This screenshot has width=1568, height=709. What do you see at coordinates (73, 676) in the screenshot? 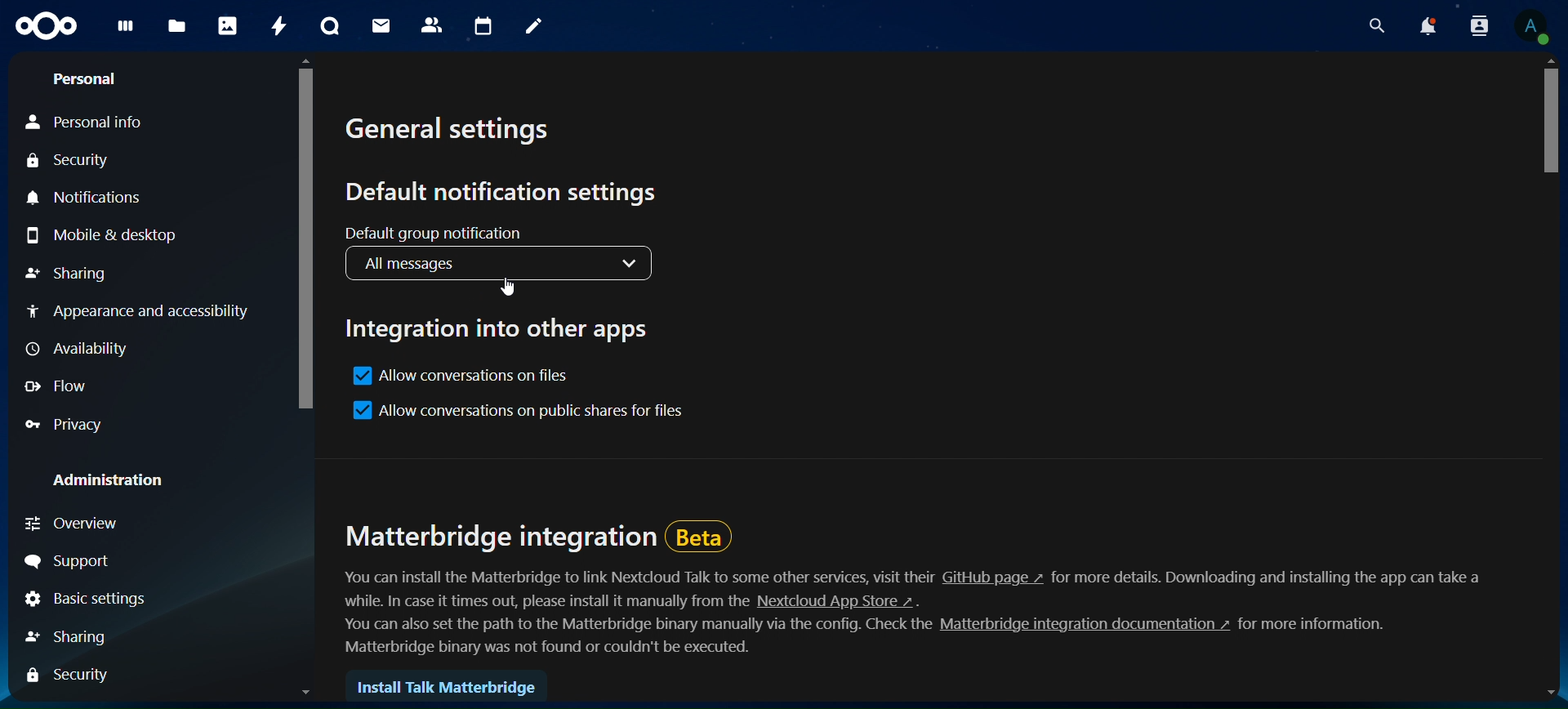
I see `security` at bounding box center [73, 676].